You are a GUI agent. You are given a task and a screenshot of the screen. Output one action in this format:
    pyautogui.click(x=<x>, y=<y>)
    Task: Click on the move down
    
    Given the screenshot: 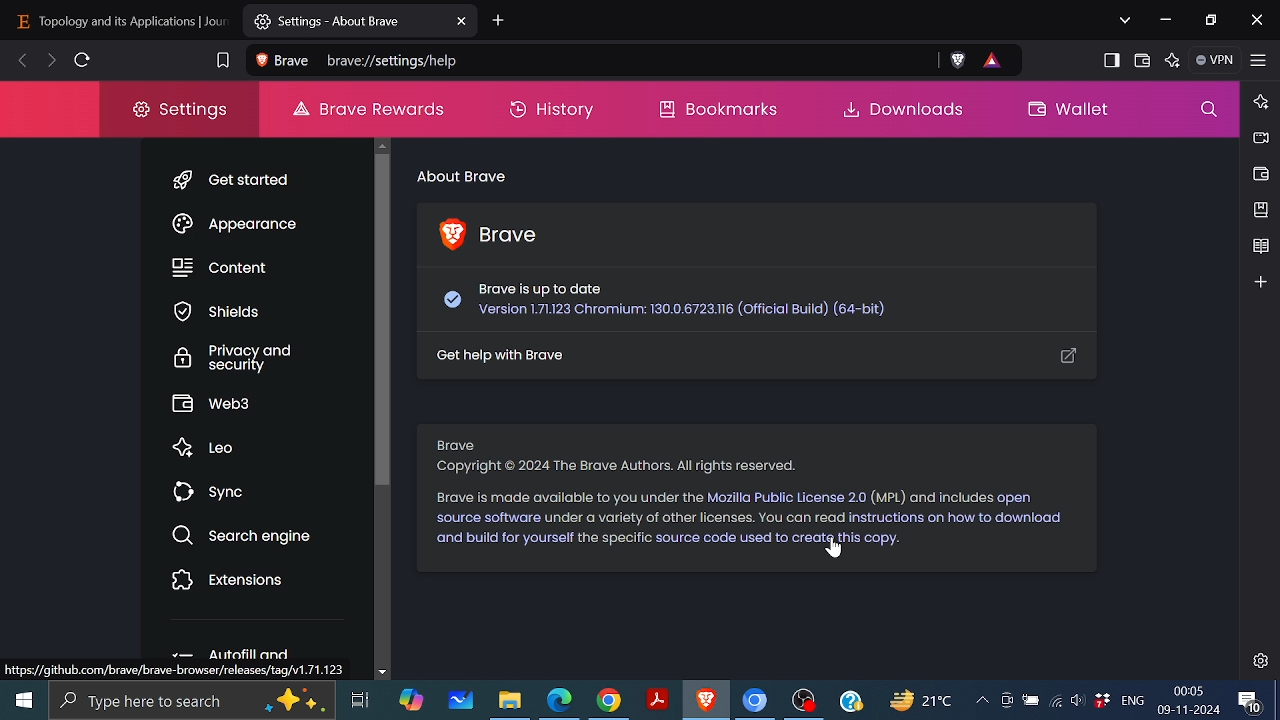 What is the action you would take?
    pyautogui.click(x=382, y=672)
    